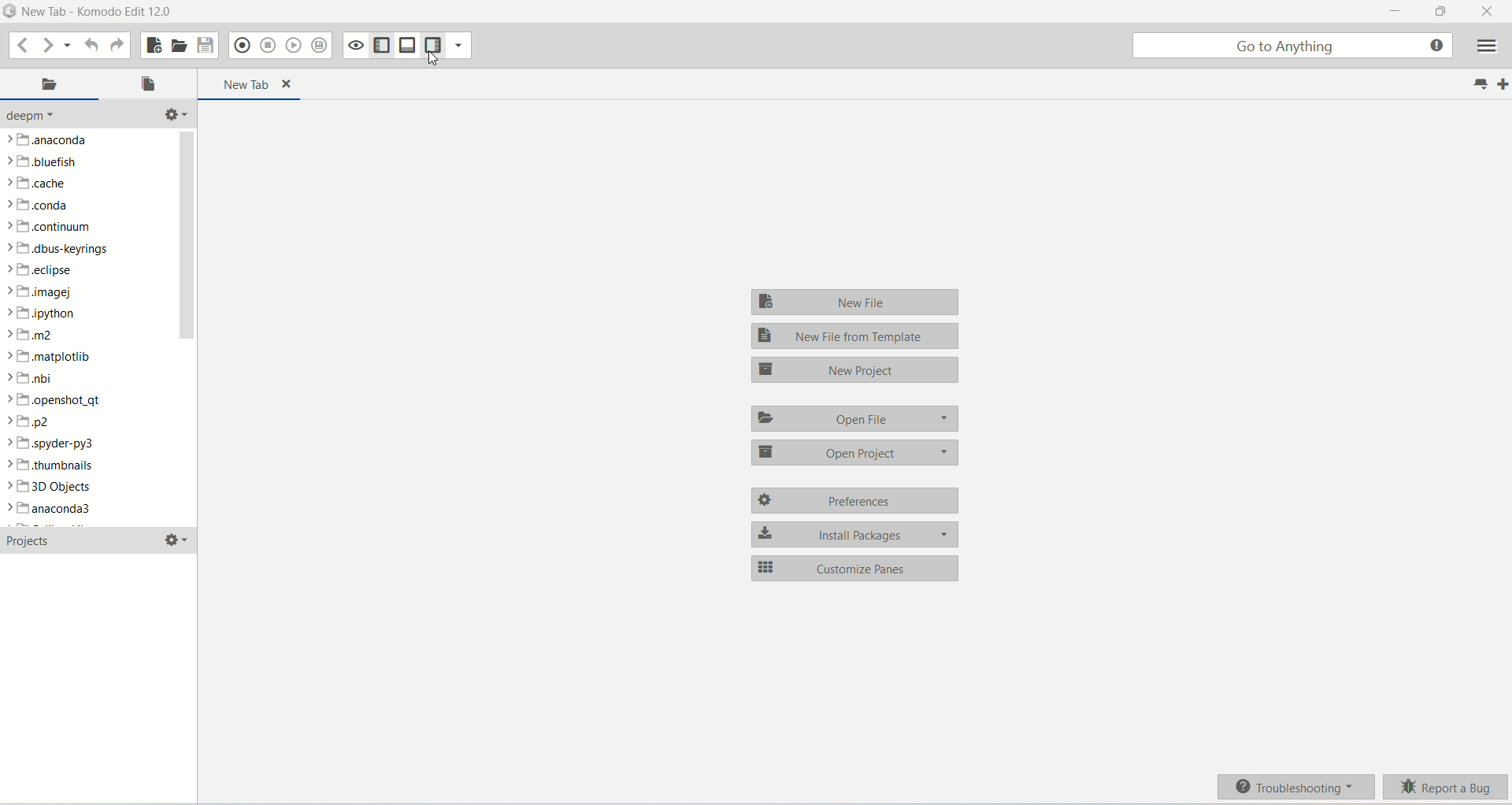 The height and width of the screenshot is (805, 1512). I want to click on toggle focus mode, so click(353, 45).